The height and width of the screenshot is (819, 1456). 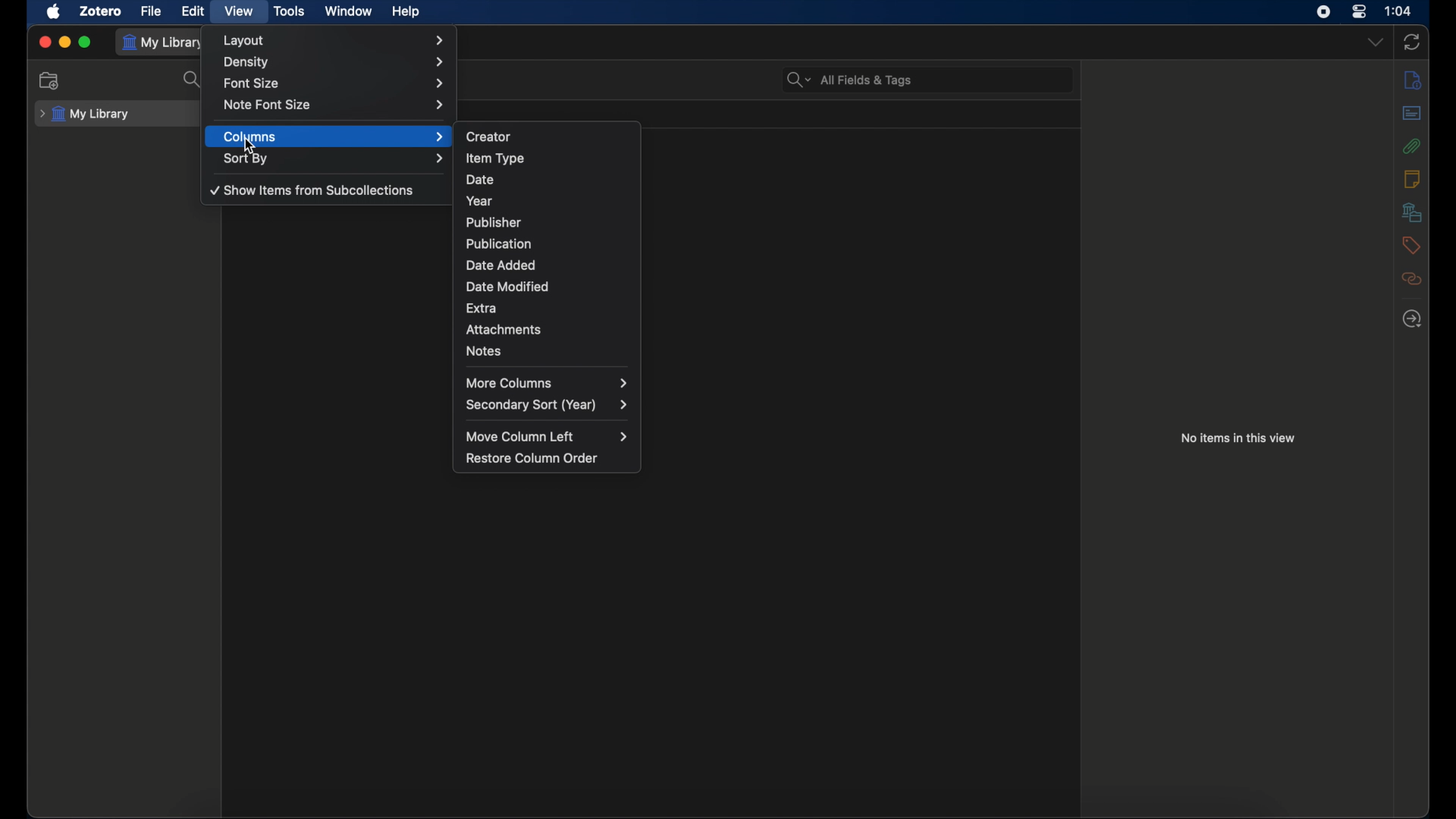 I want to click on file, so click(x=152, y=11).